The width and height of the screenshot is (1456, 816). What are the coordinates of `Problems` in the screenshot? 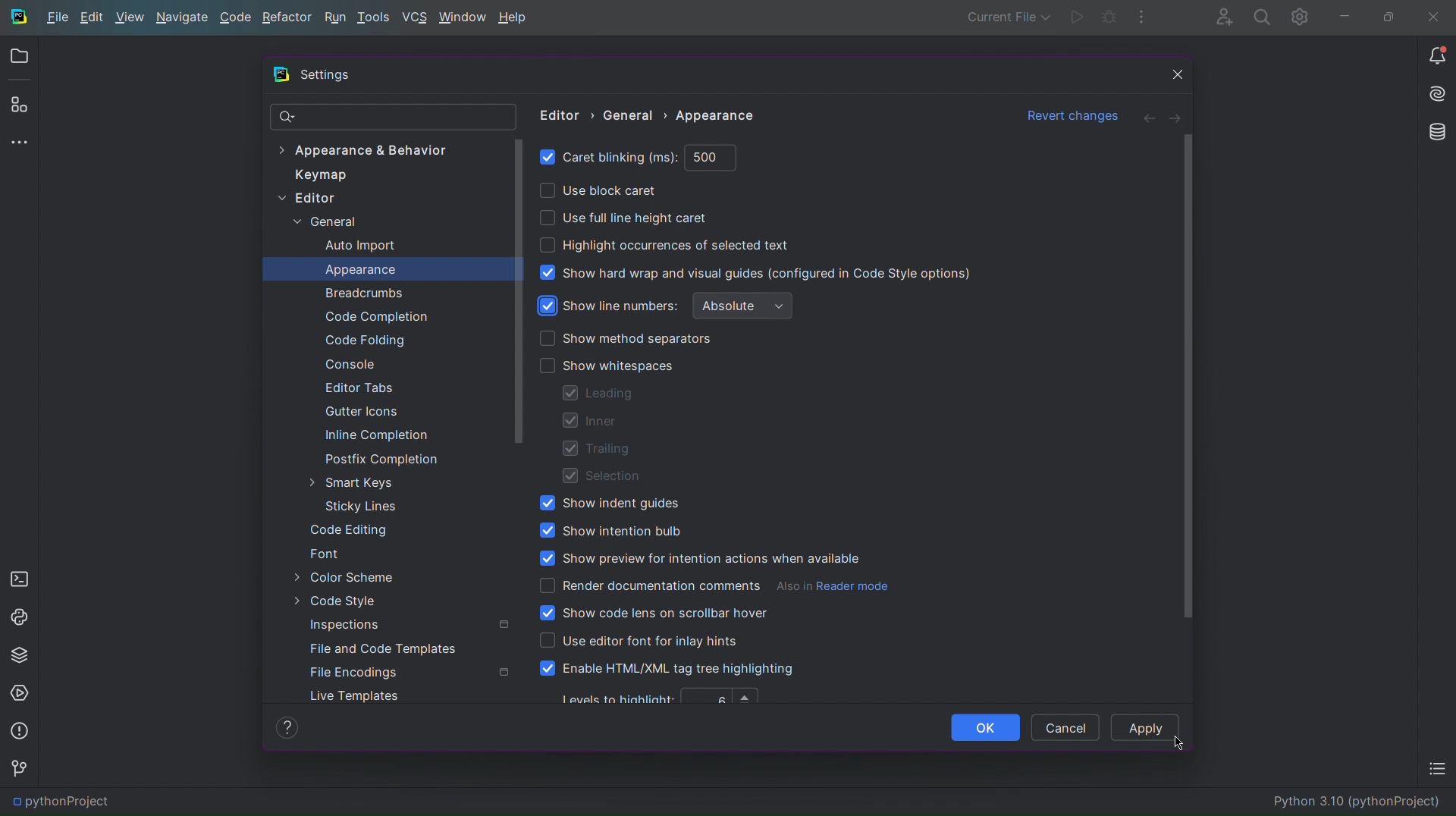 It's located at (20, 732).